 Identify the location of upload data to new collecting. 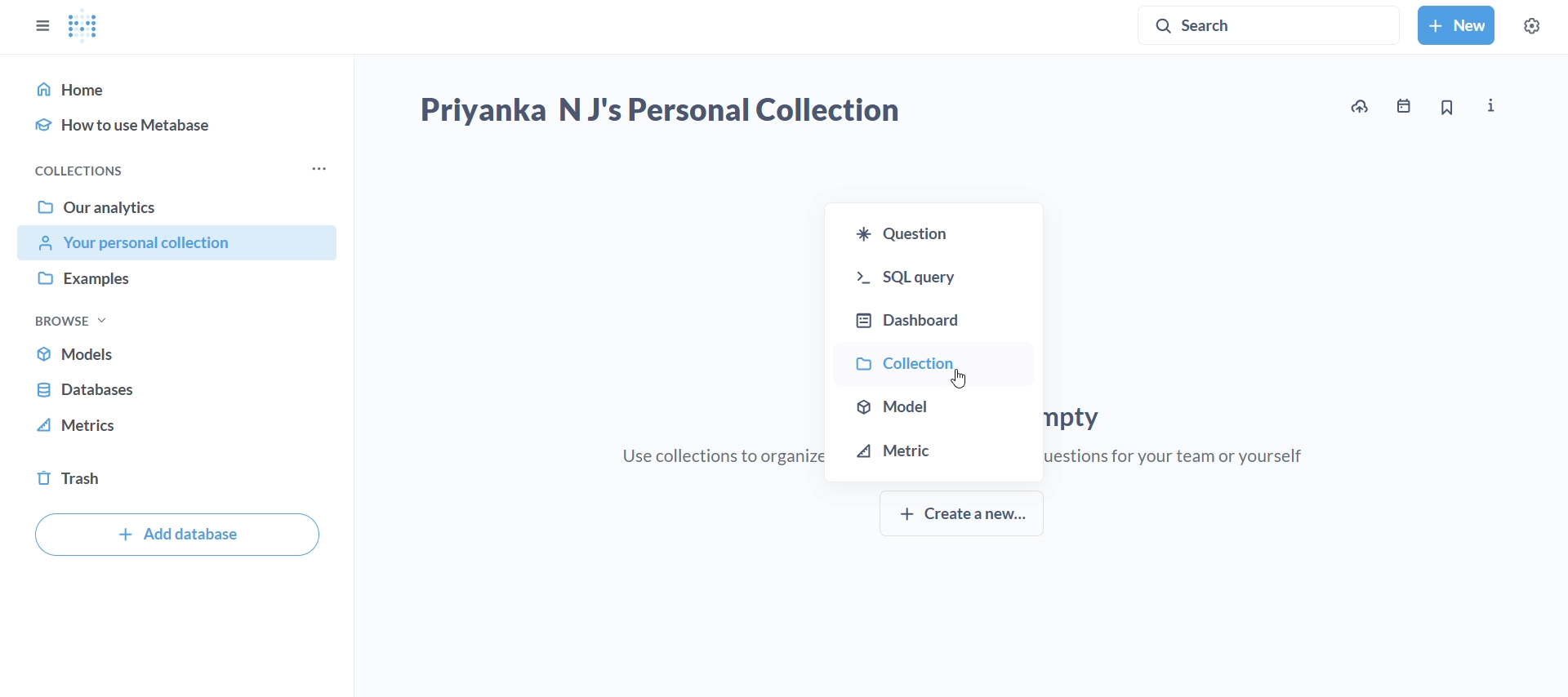
(1357, 108).